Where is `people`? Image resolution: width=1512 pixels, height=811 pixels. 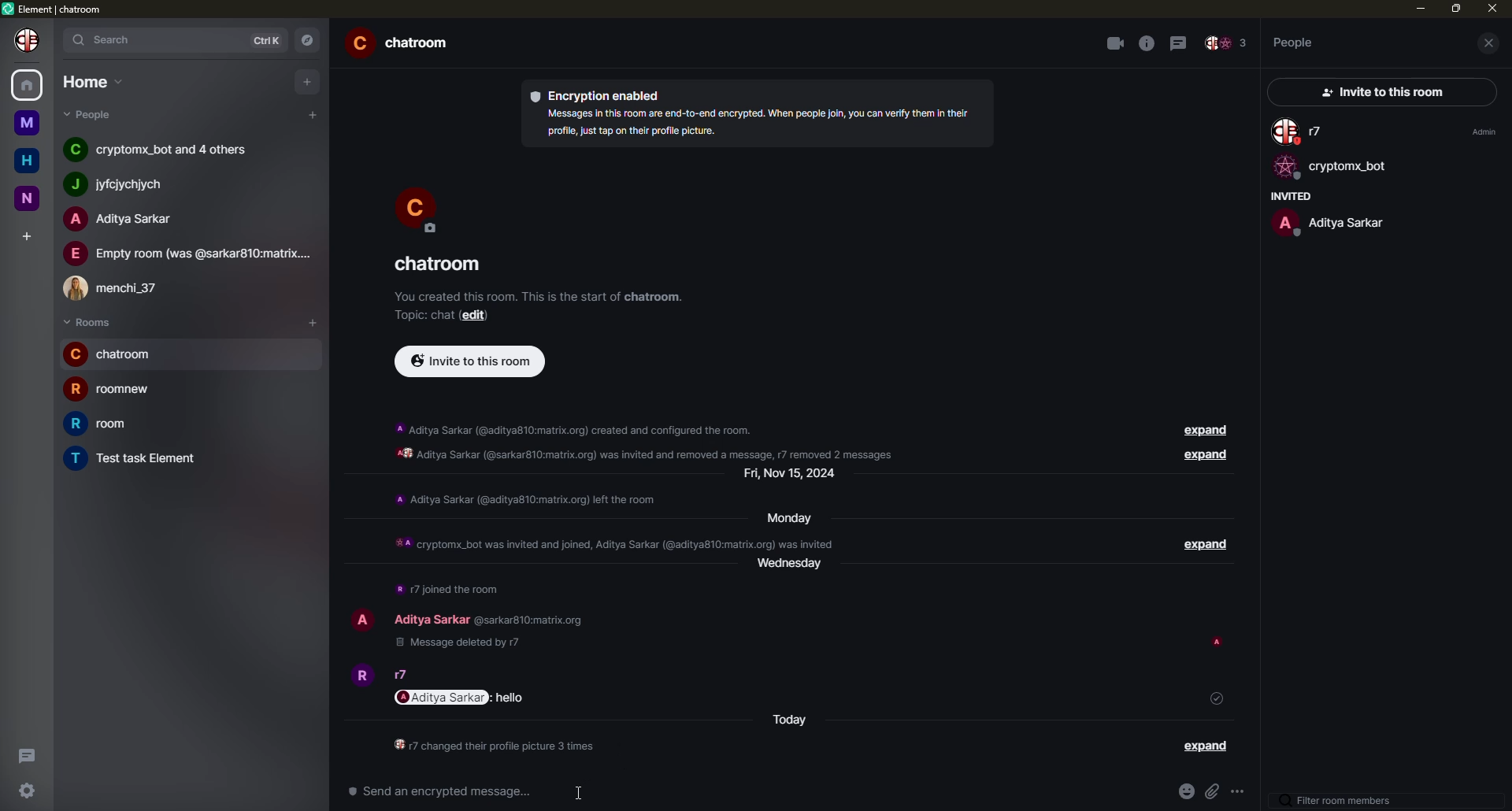
people is located at coordinates (1226, 44).